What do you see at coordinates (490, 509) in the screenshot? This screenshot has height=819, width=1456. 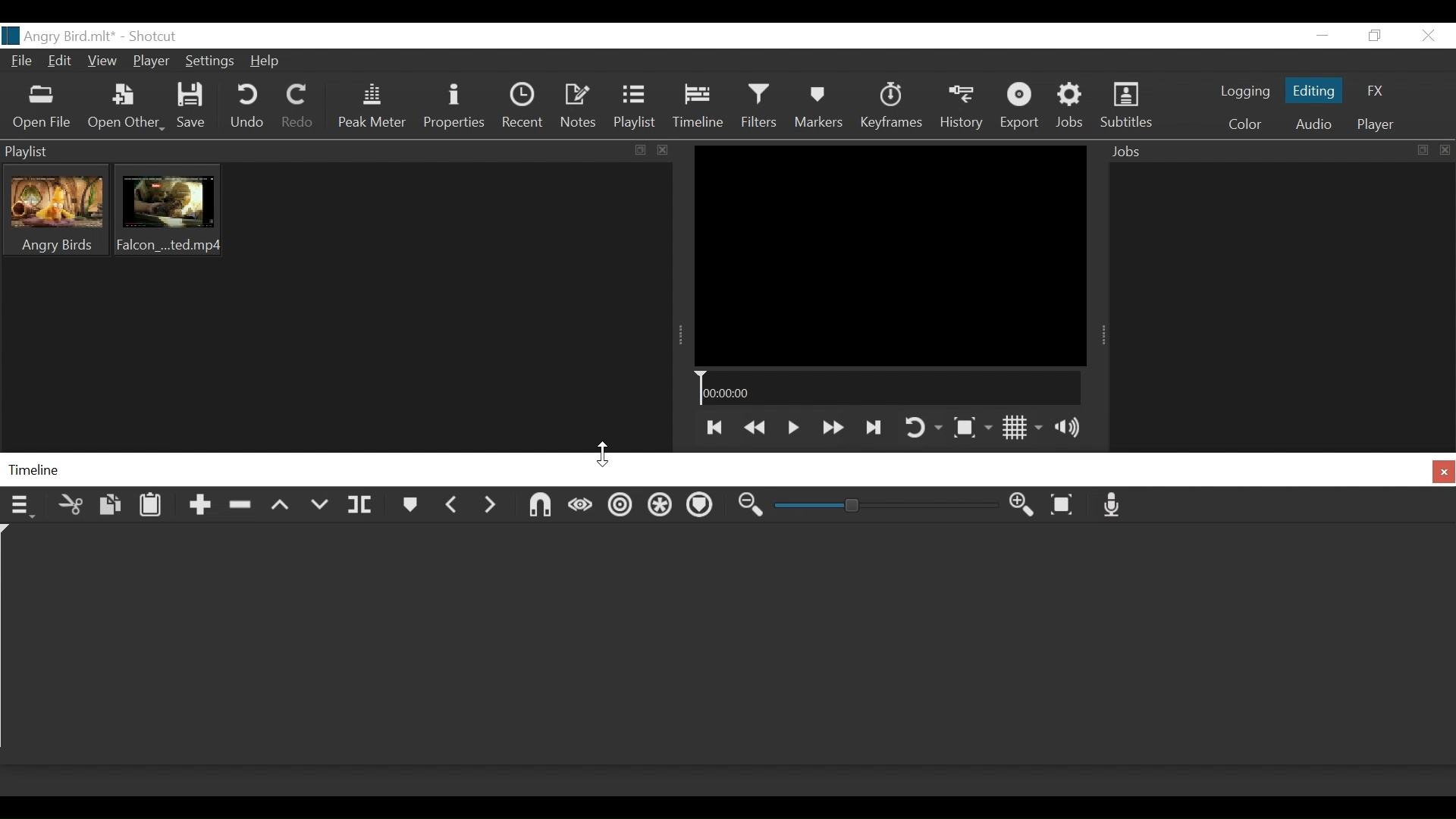 I see `Next Marker` at bounding box center [490, 509].